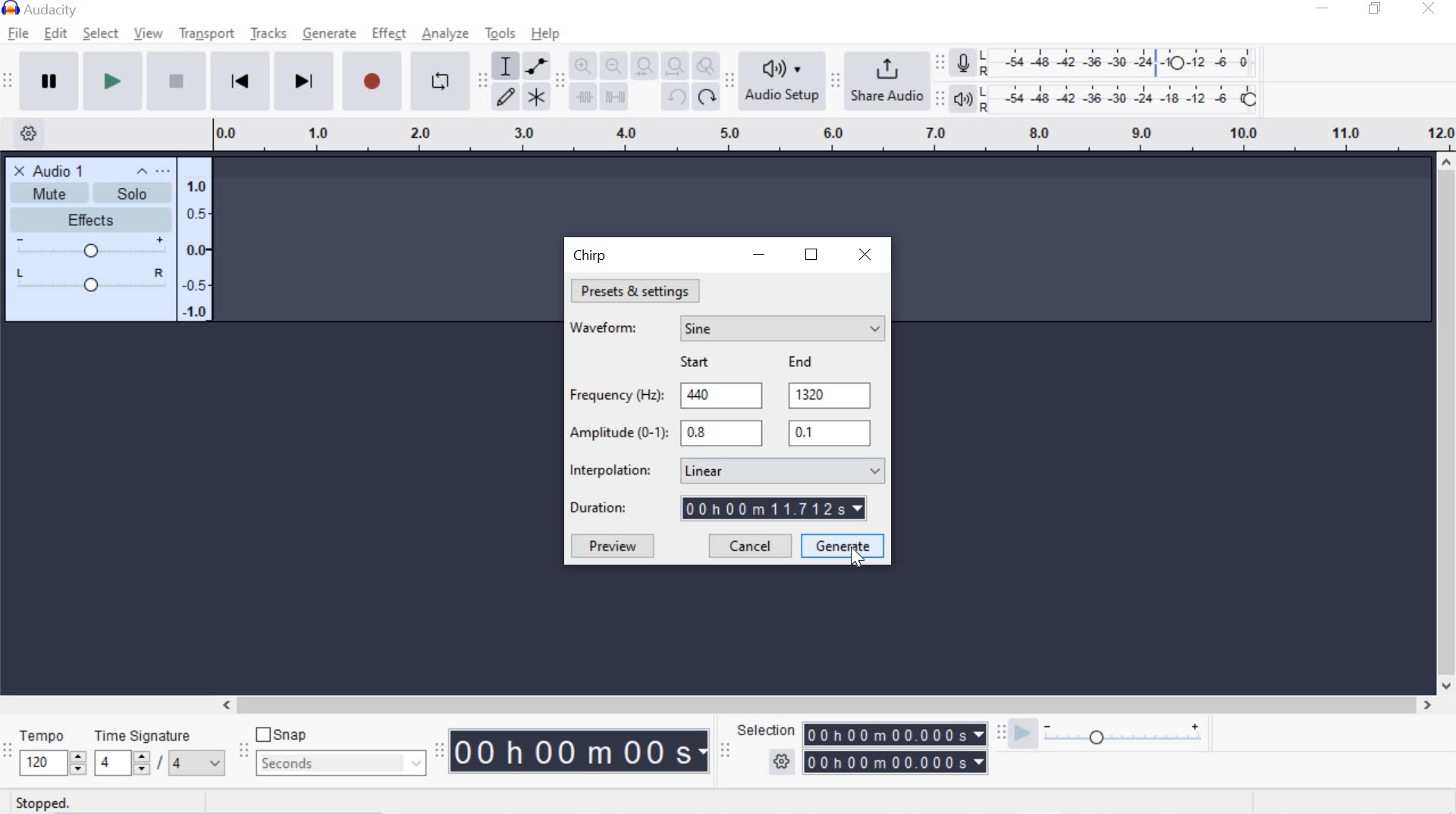 This screenshot has height=814, width=1456. Describe the element at coordinates (866, 255) in the screenshot. I see `close` at that location.